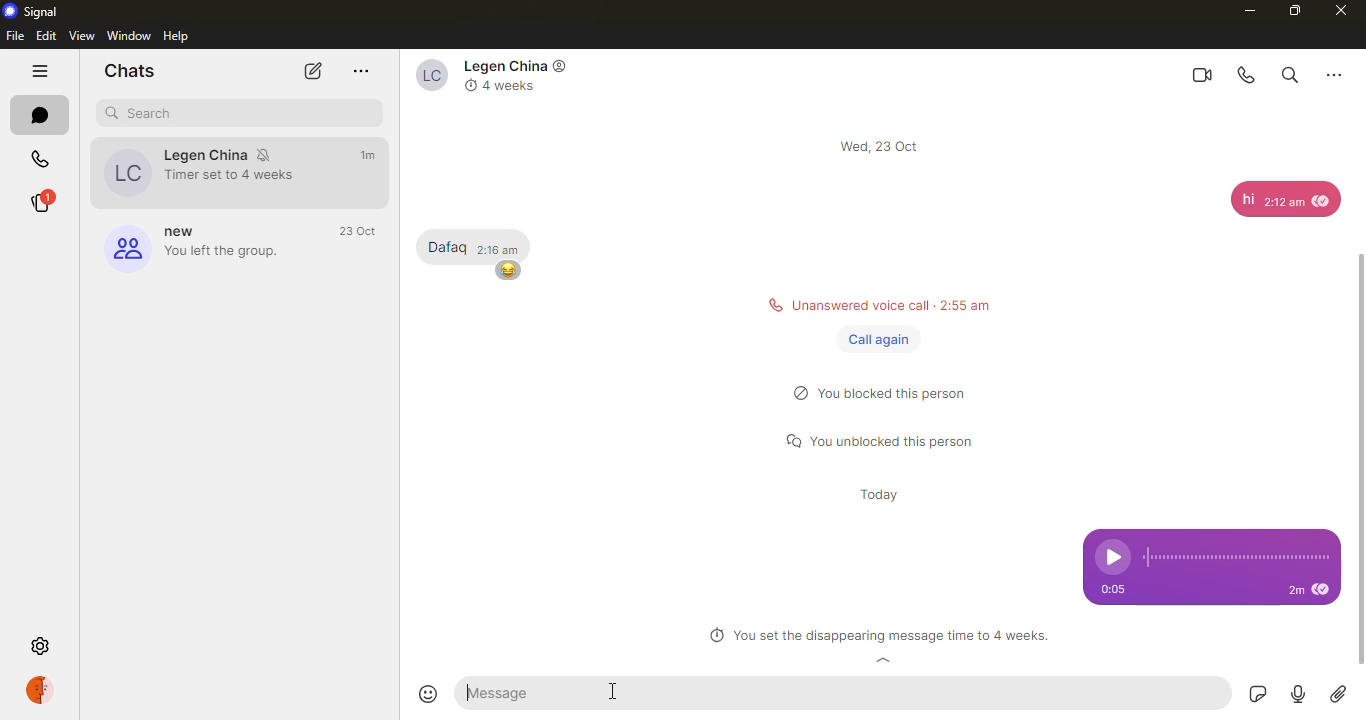 The image size is (1366, 720). What do you see at coordinates (1295, 695) in the screenshot?
I see `record` at bounding box center [1295, 695].